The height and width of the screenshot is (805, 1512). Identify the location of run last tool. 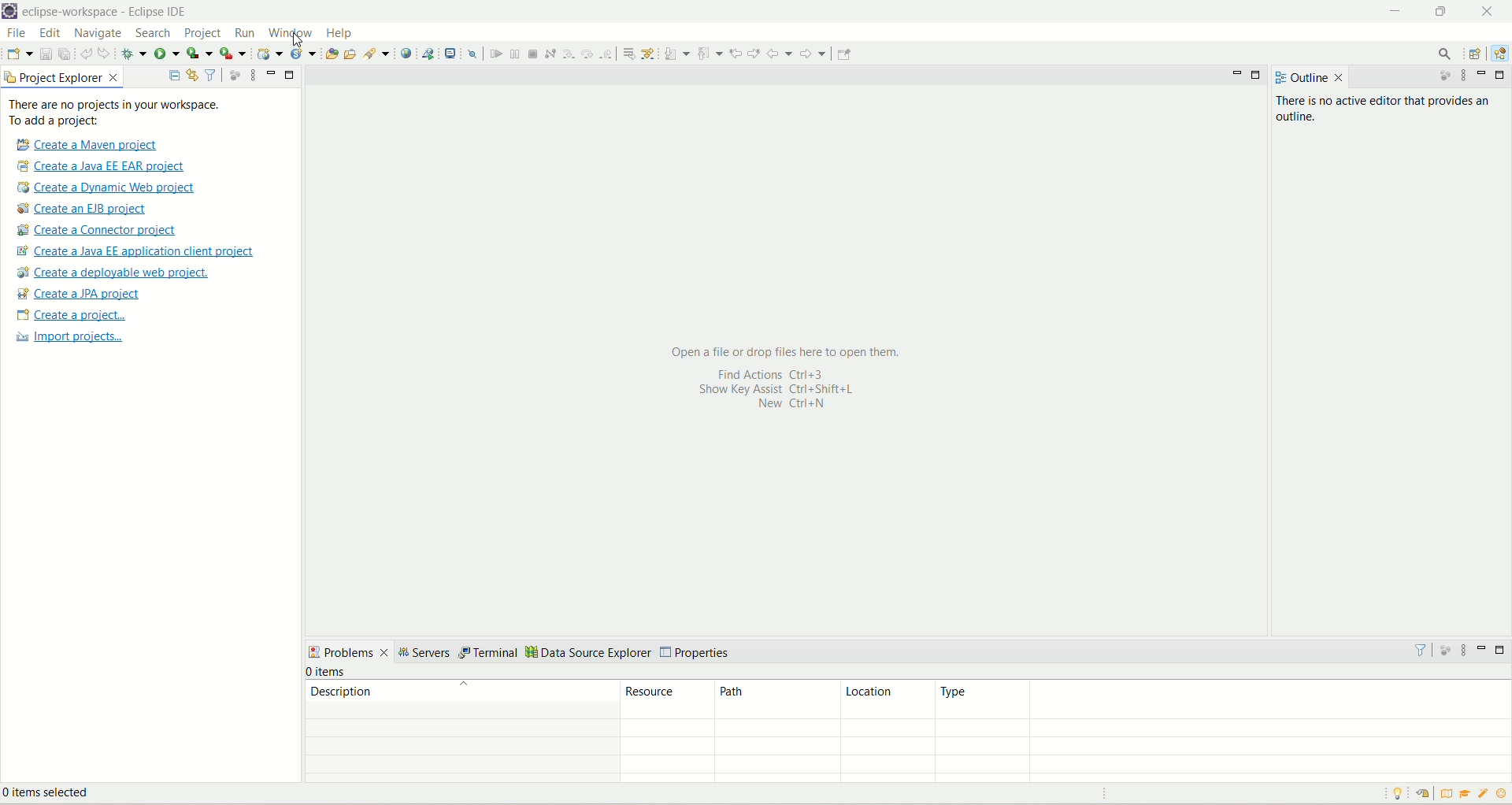
(232, 54).